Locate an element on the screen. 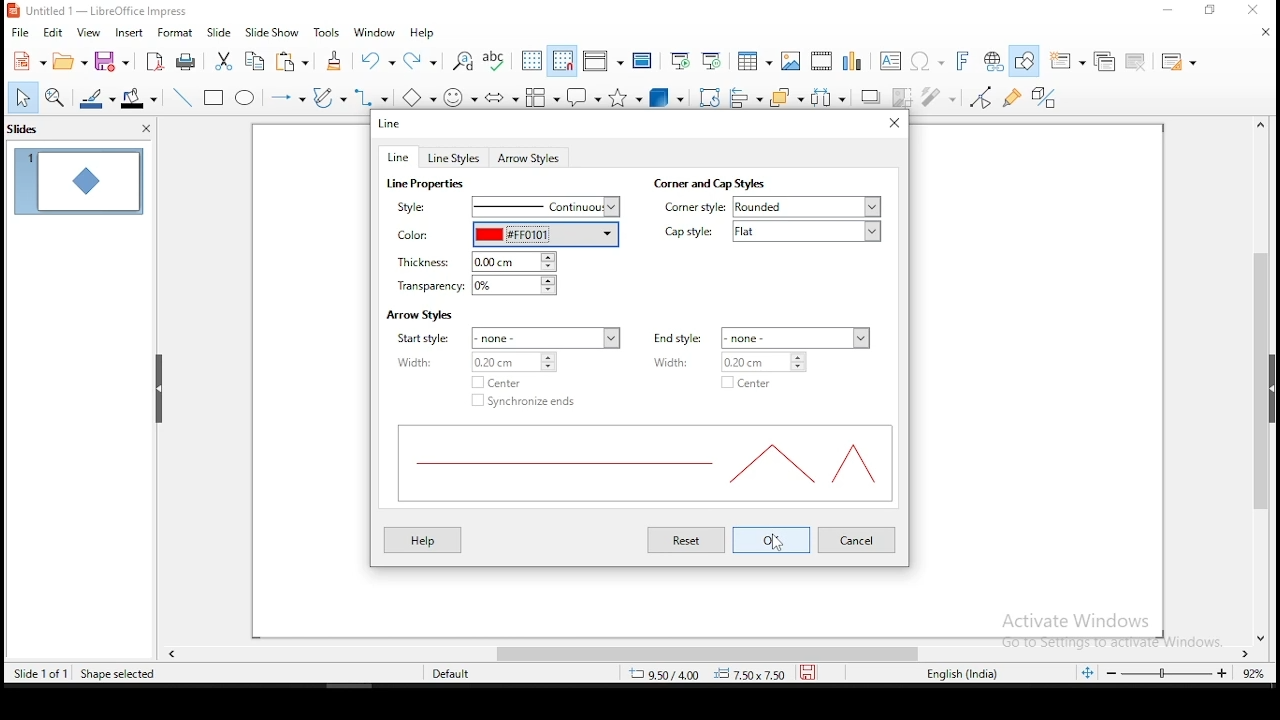  slides is located at coordinates (33, 131).